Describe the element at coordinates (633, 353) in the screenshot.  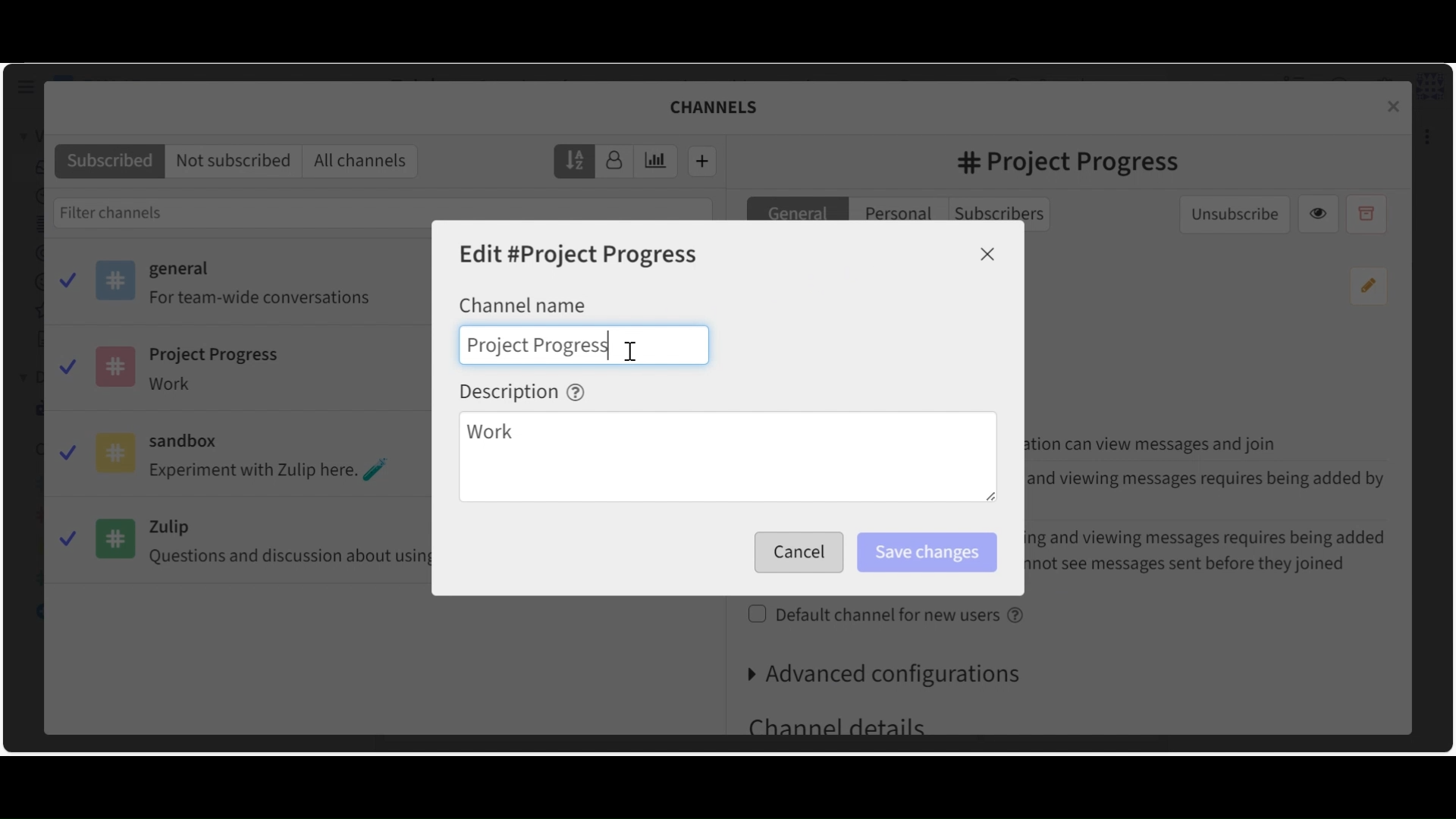
I see `Insertion cursor` at that location.